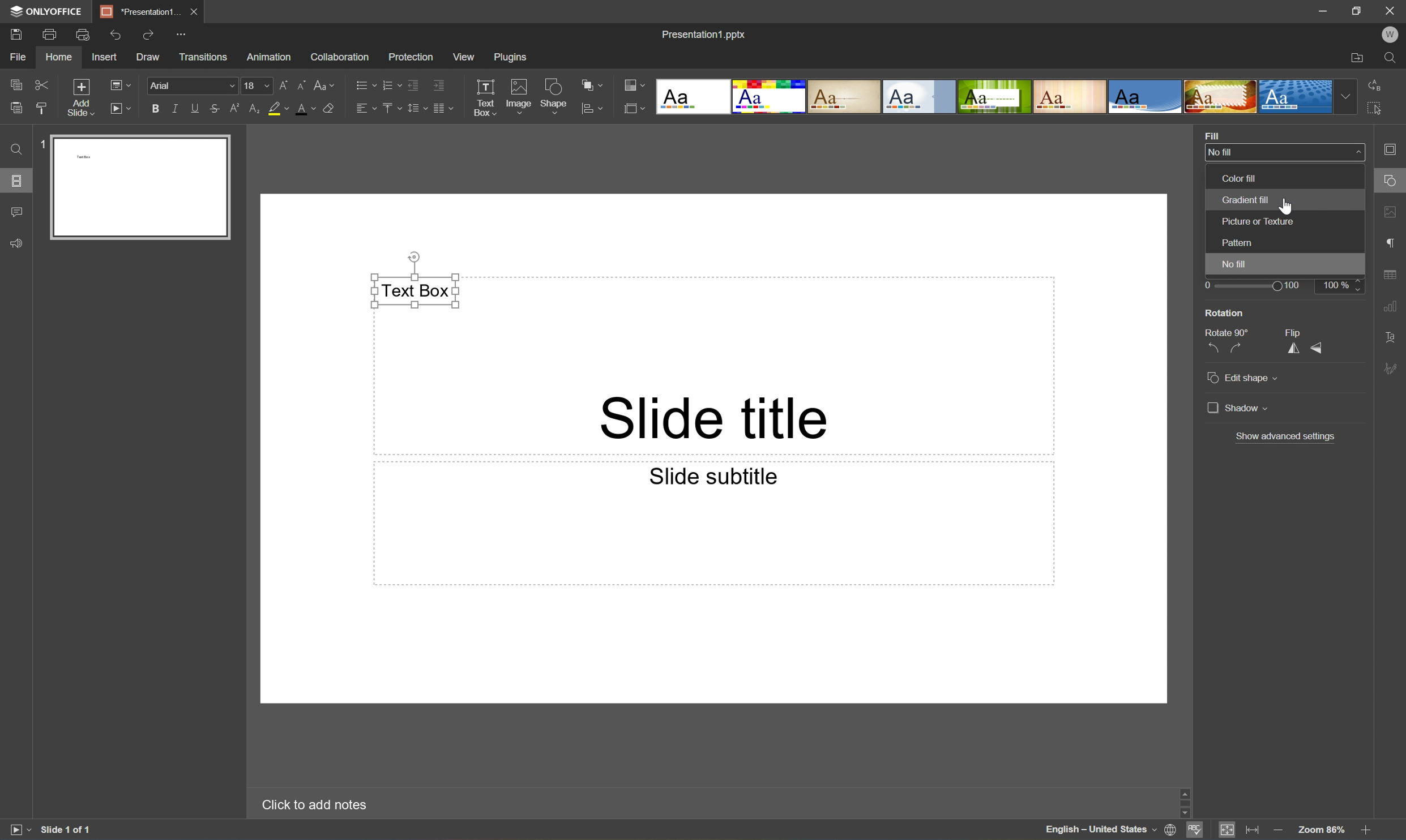 The height and width of the screenshot is (840, 1406). I want to click on Rotate 90° countercolckwise, so click(1216, 349).